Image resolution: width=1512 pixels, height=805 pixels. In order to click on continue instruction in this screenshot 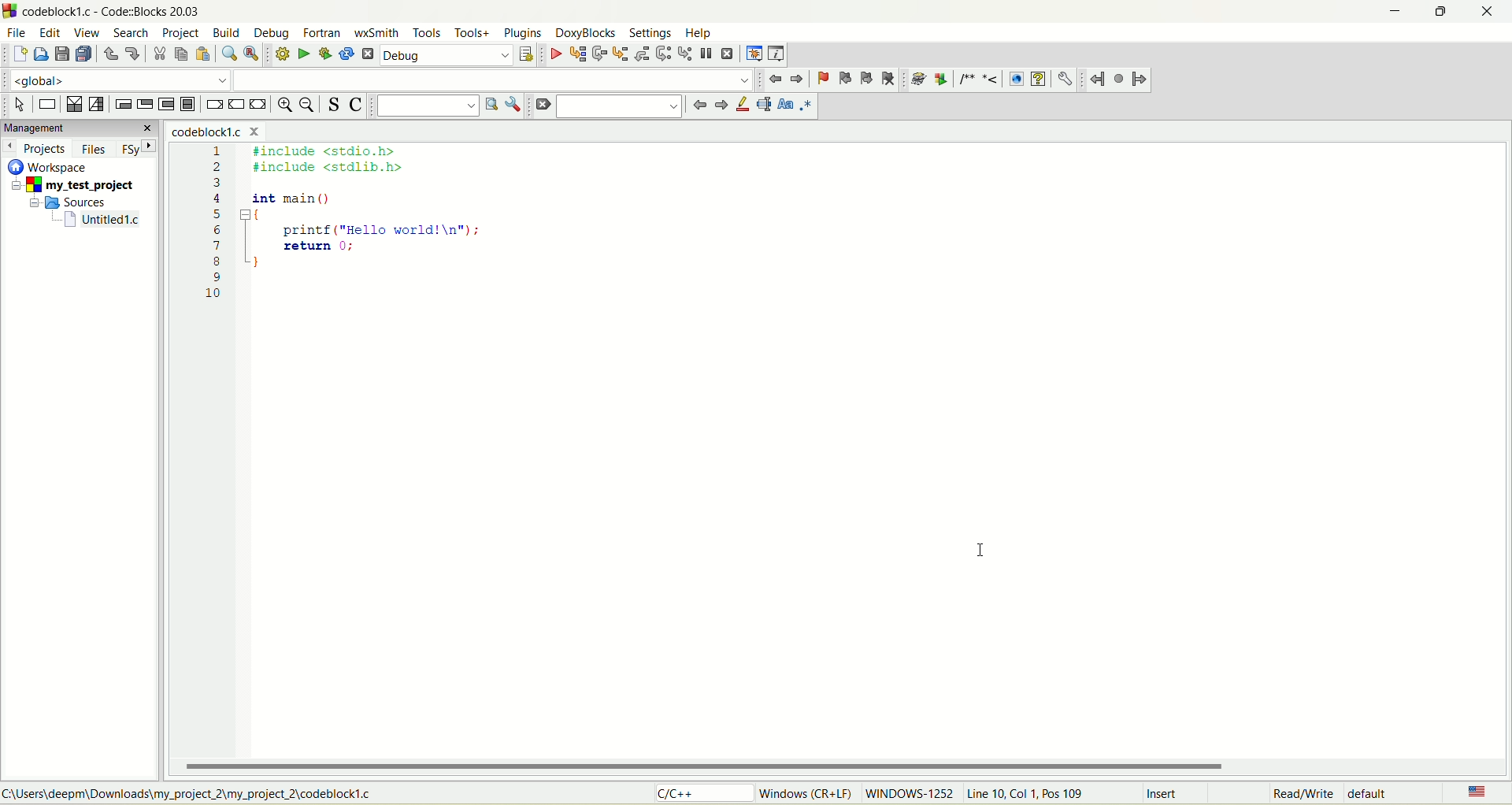, I will do `click(235, 104)`.